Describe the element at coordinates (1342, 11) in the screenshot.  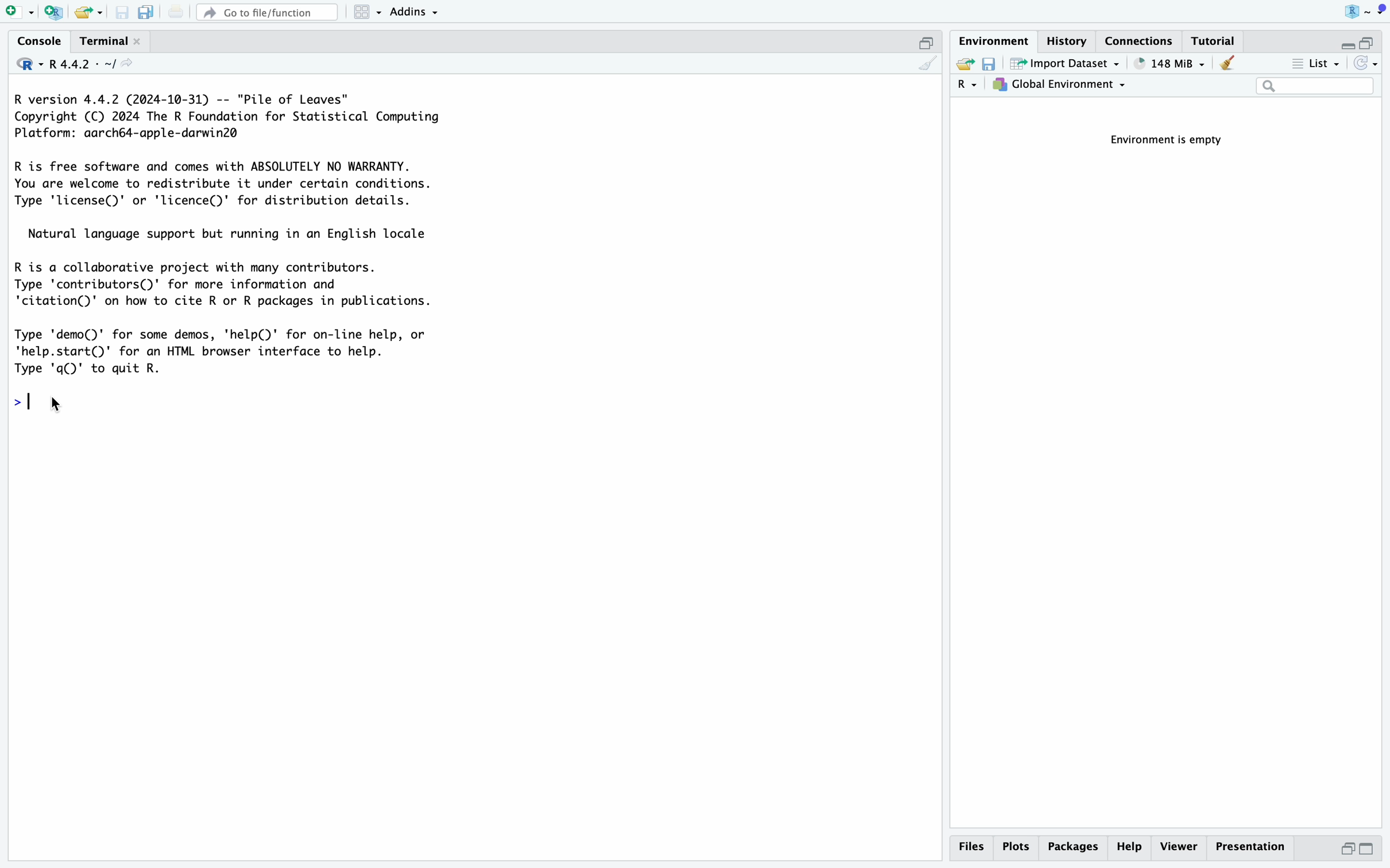
I see `R logo` at that location.